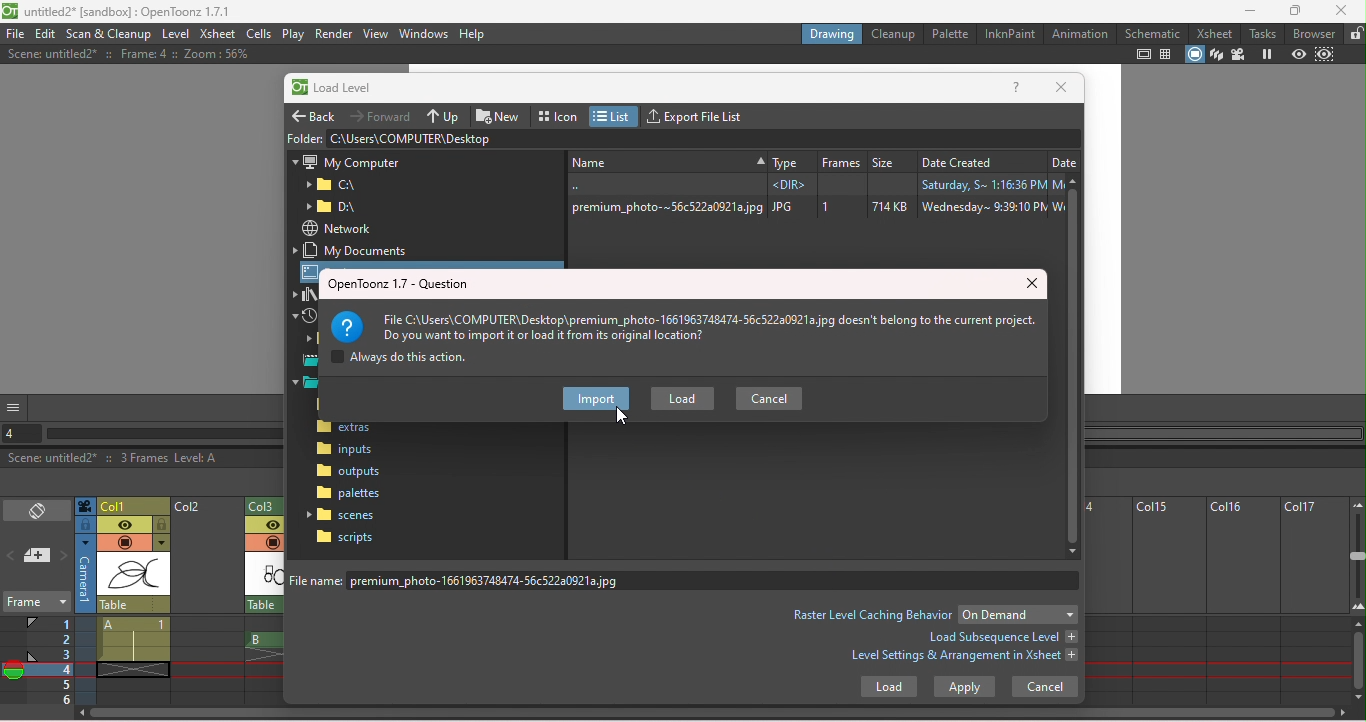 Image resolution: width=1366 pixels, height=722 pixels. Describe the element at coordinates (51, 660) in the screenshot. I see `Frames` at that location.